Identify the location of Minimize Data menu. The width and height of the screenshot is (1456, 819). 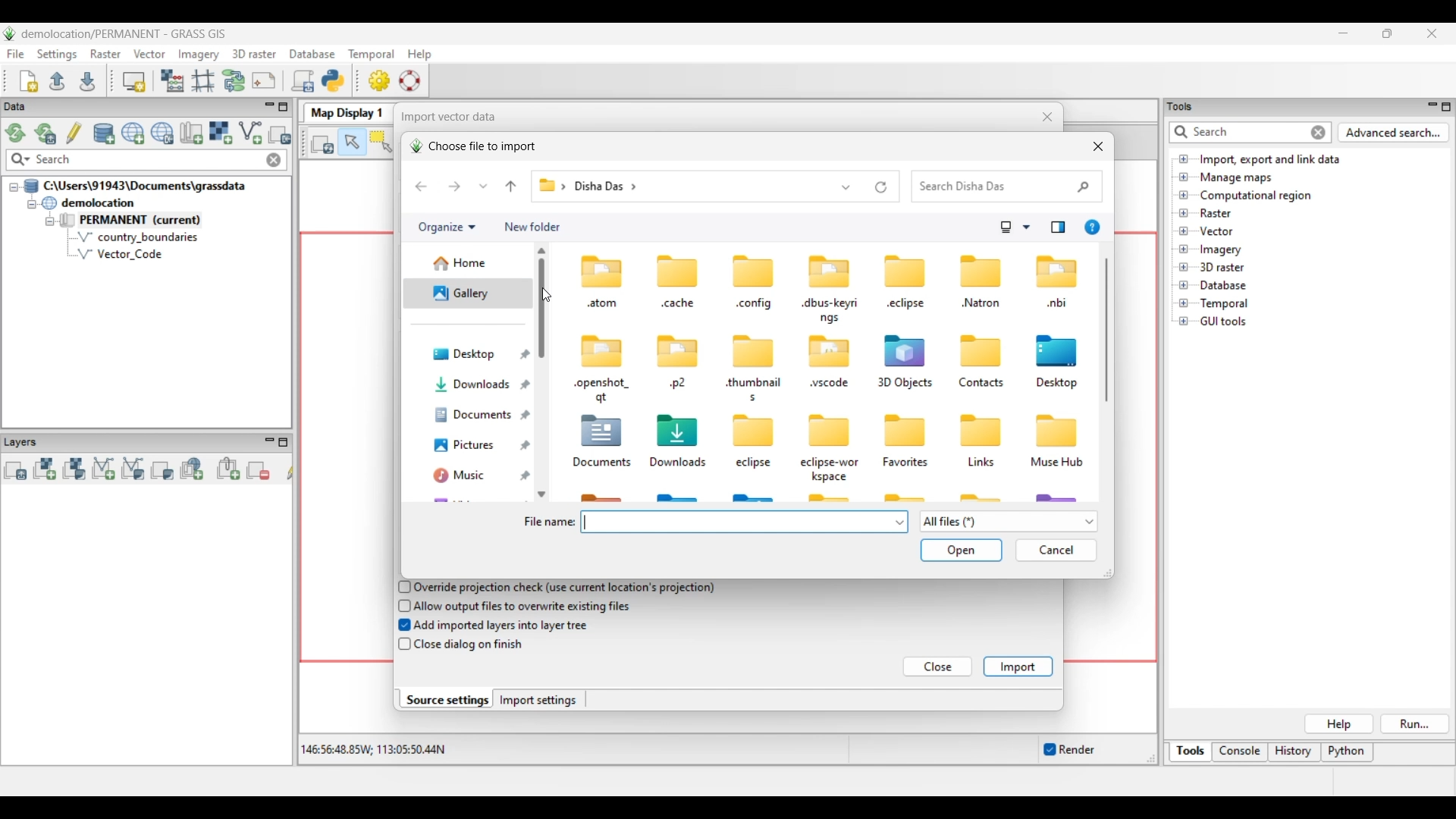
(269, 108).